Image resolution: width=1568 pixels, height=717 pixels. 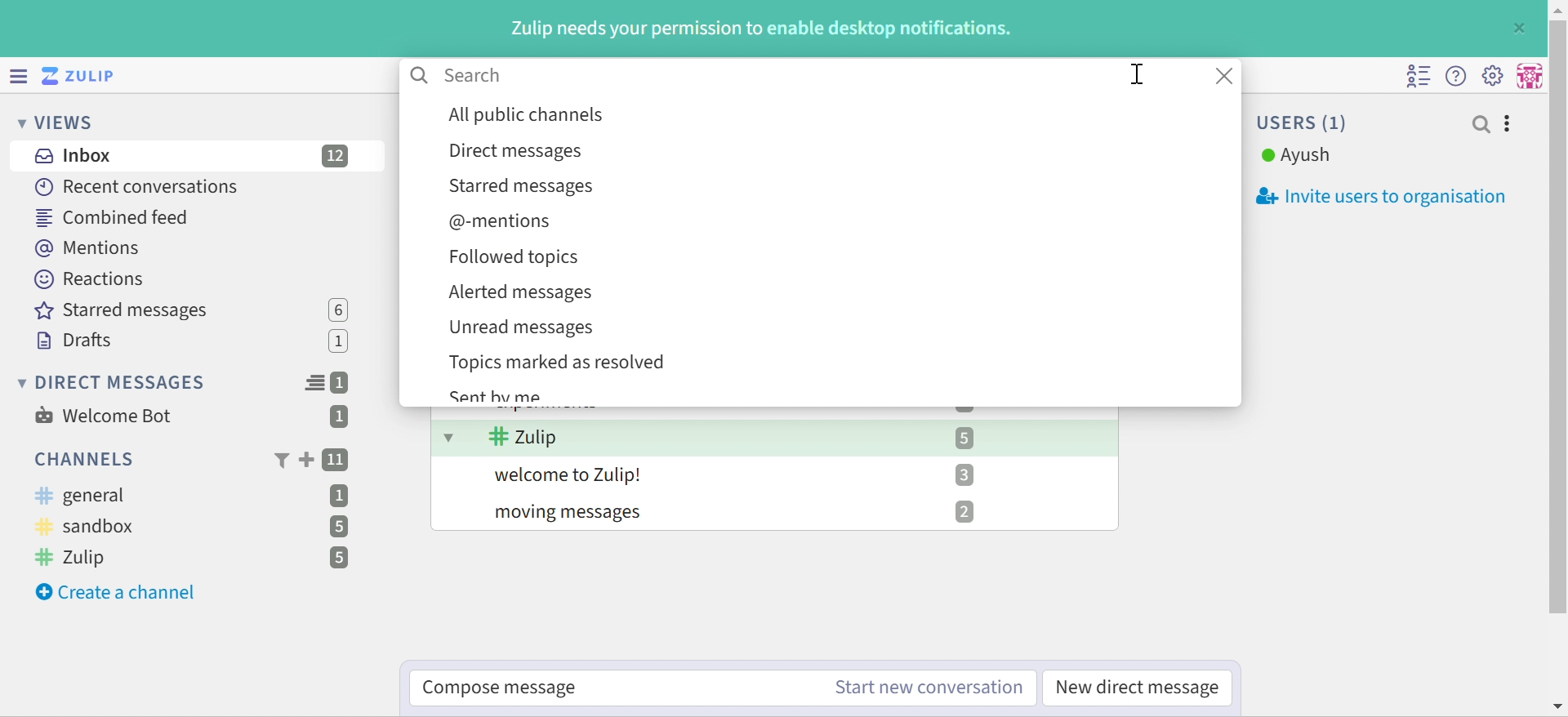 I want to click on Recent conversations, so click(x=138, y=186).